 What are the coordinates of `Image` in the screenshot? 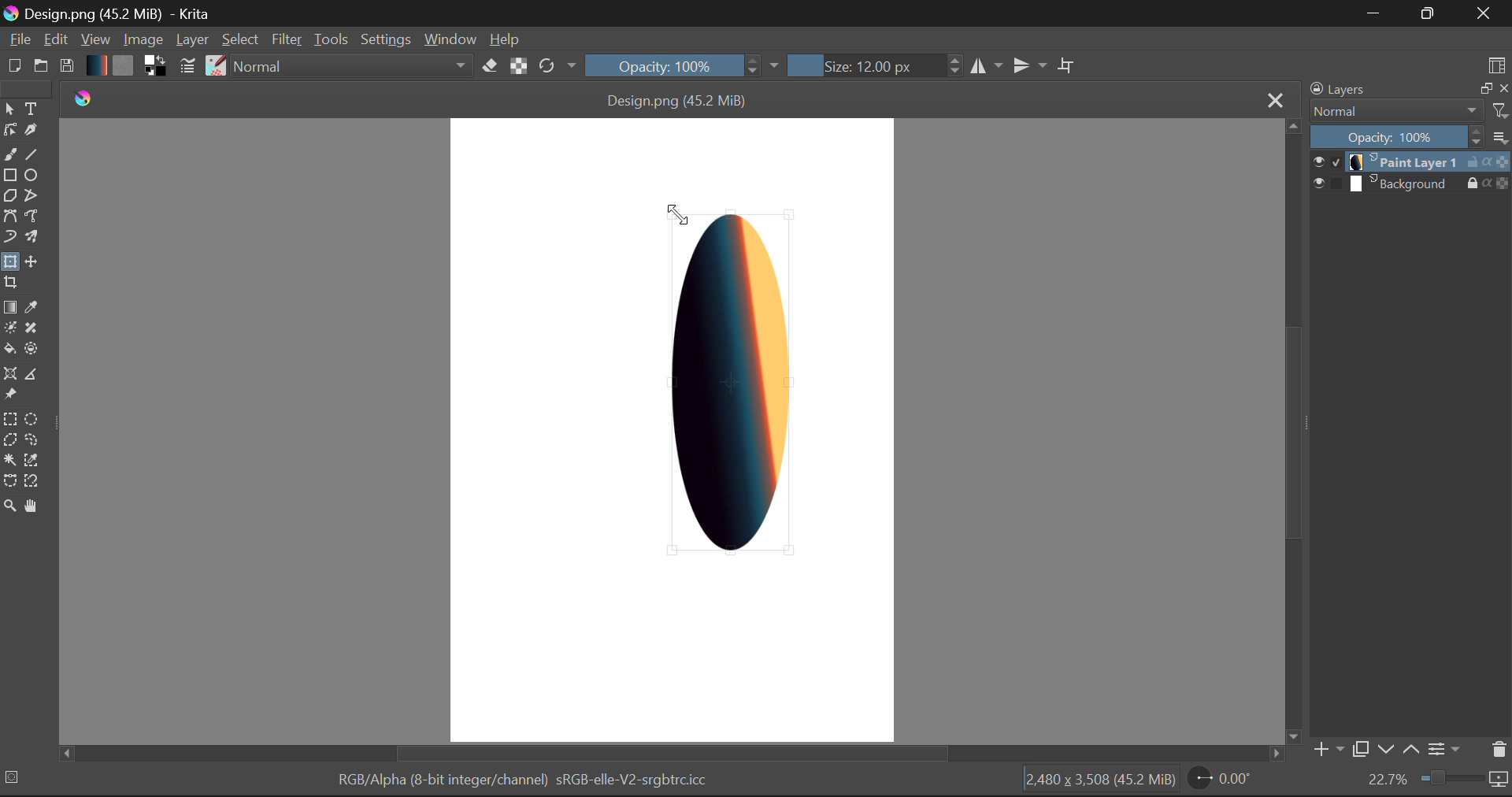 It's located at (142, 39).